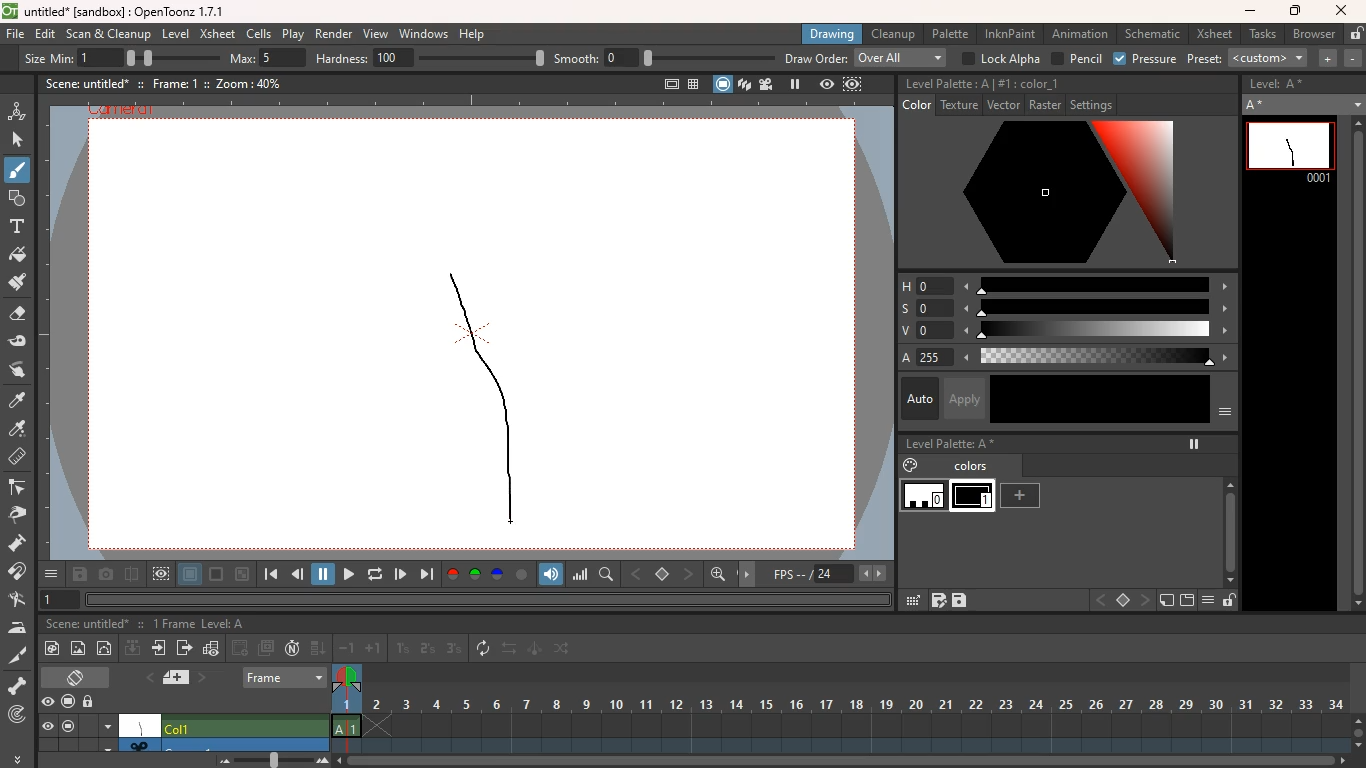  Describe the element at coordinates (1045, 106) in the screenshot. I see `raster` at that location.